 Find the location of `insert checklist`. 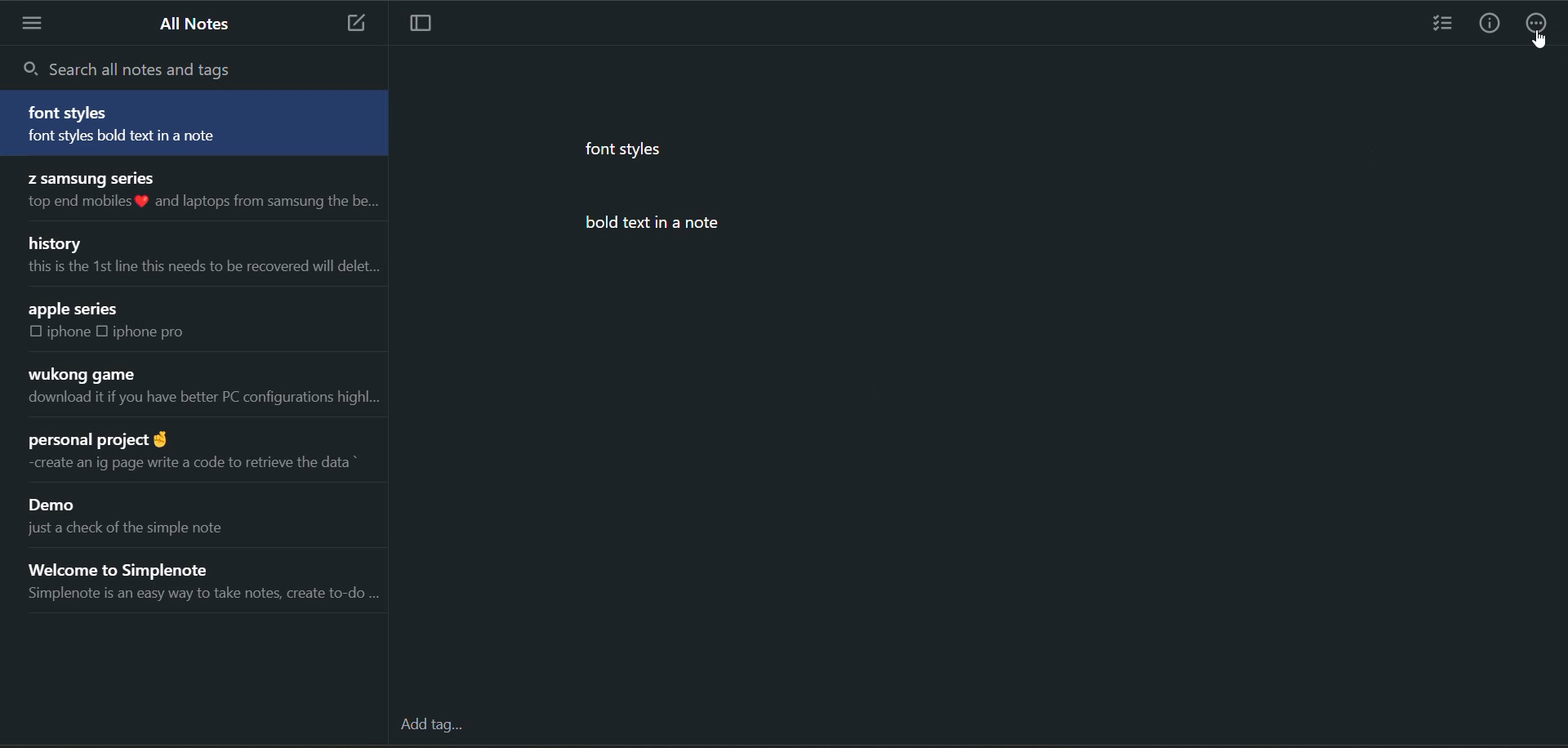

insert checklist is located at coordinates (1443, 25).